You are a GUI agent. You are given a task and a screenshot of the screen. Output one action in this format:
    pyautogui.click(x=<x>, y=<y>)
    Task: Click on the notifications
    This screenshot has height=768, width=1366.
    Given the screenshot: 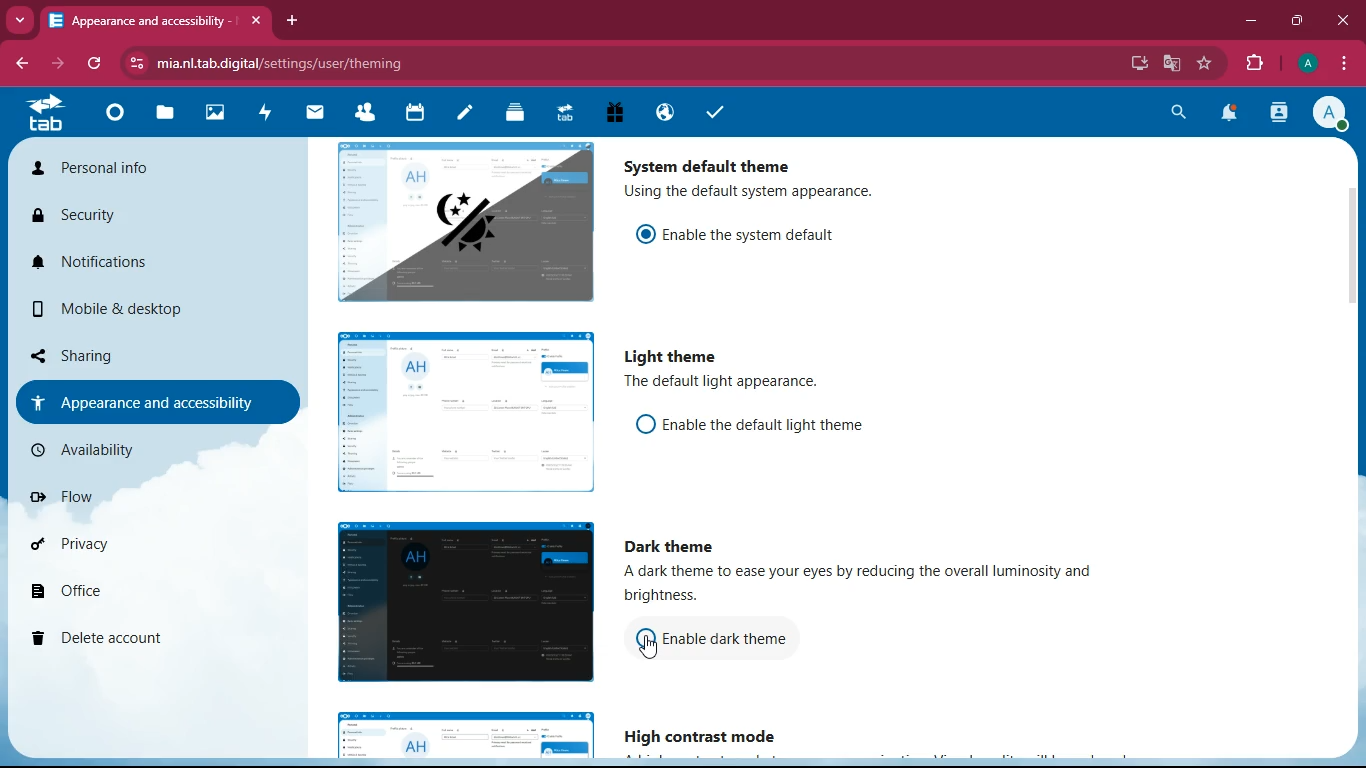 What is the action you would take?
    pyautogui.click(x=126, y=270)
    